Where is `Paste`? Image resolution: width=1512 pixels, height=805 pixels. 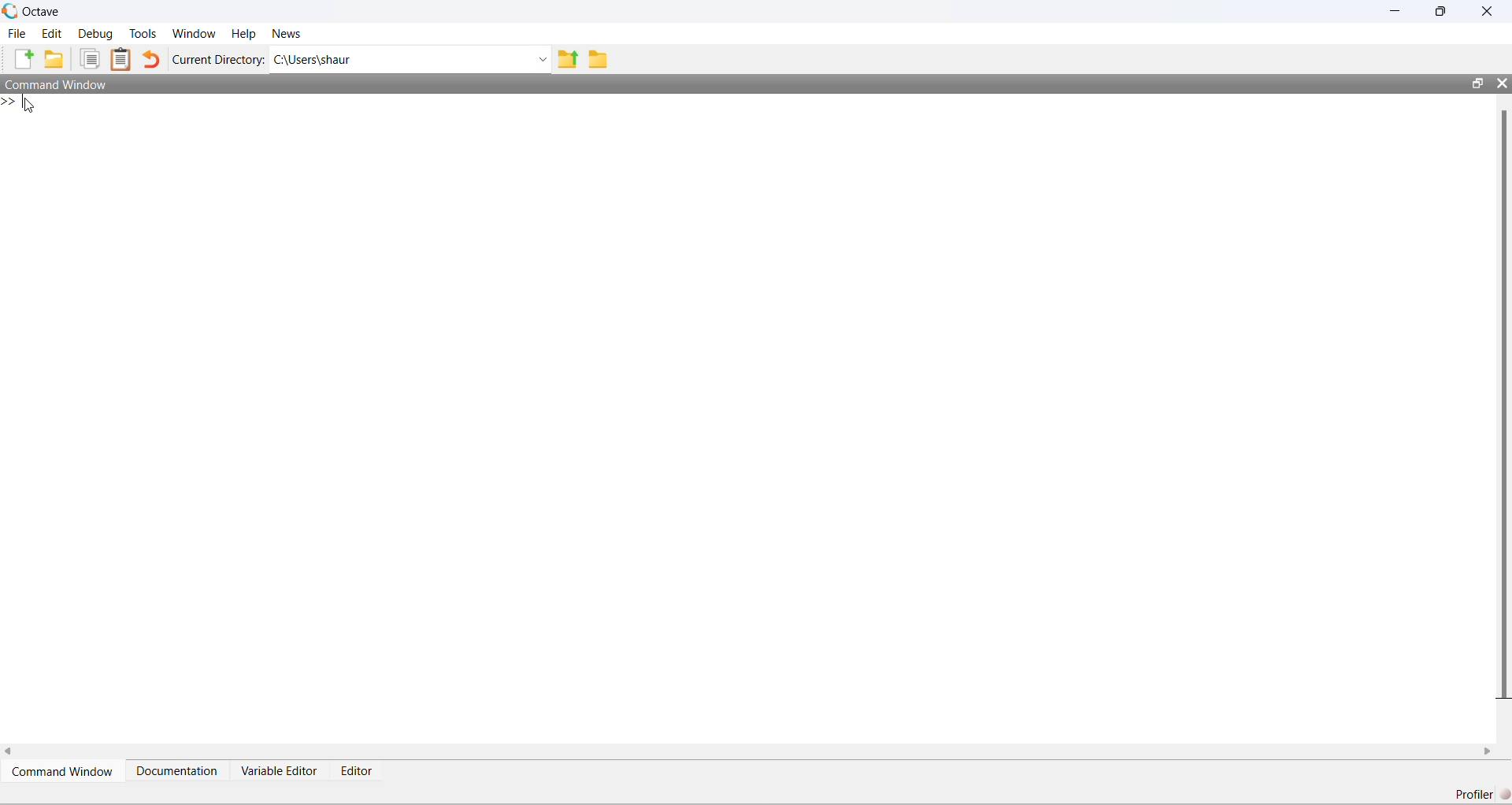 Paste is located at coordinates (120, 60).